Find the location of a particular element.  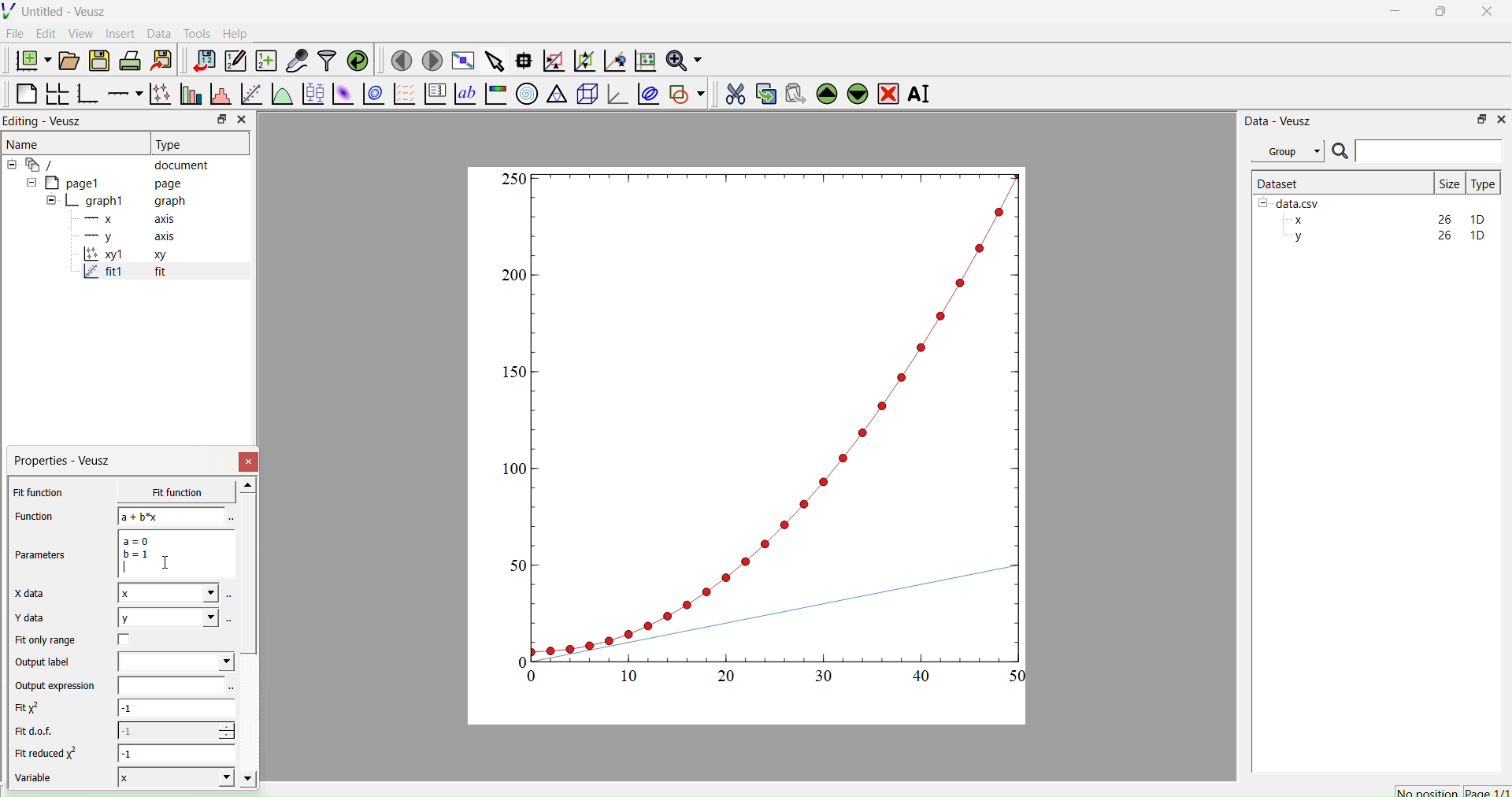

Select using dataset browser is located at coordinates (232, 689).